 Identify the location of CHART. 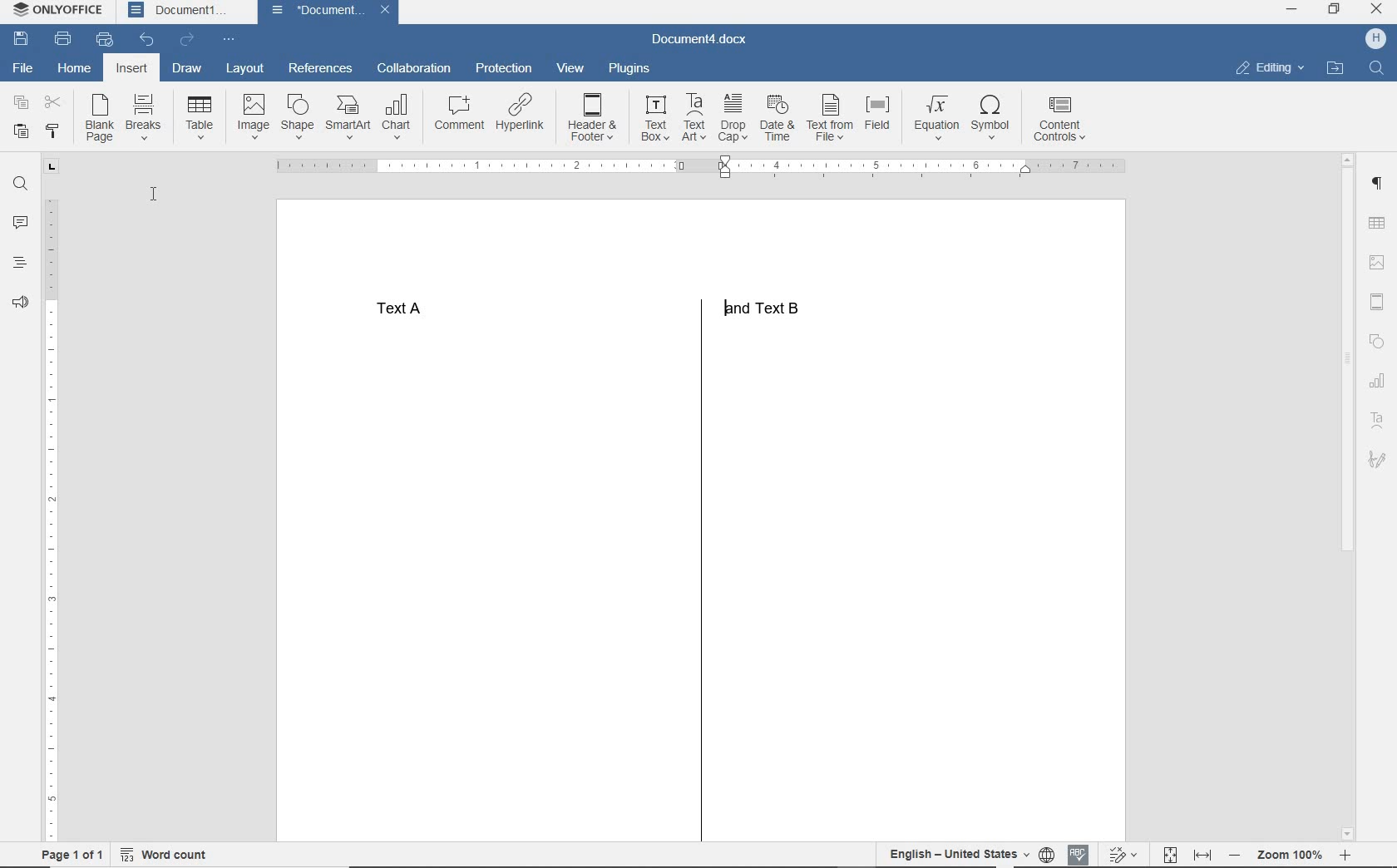
(397, 116).